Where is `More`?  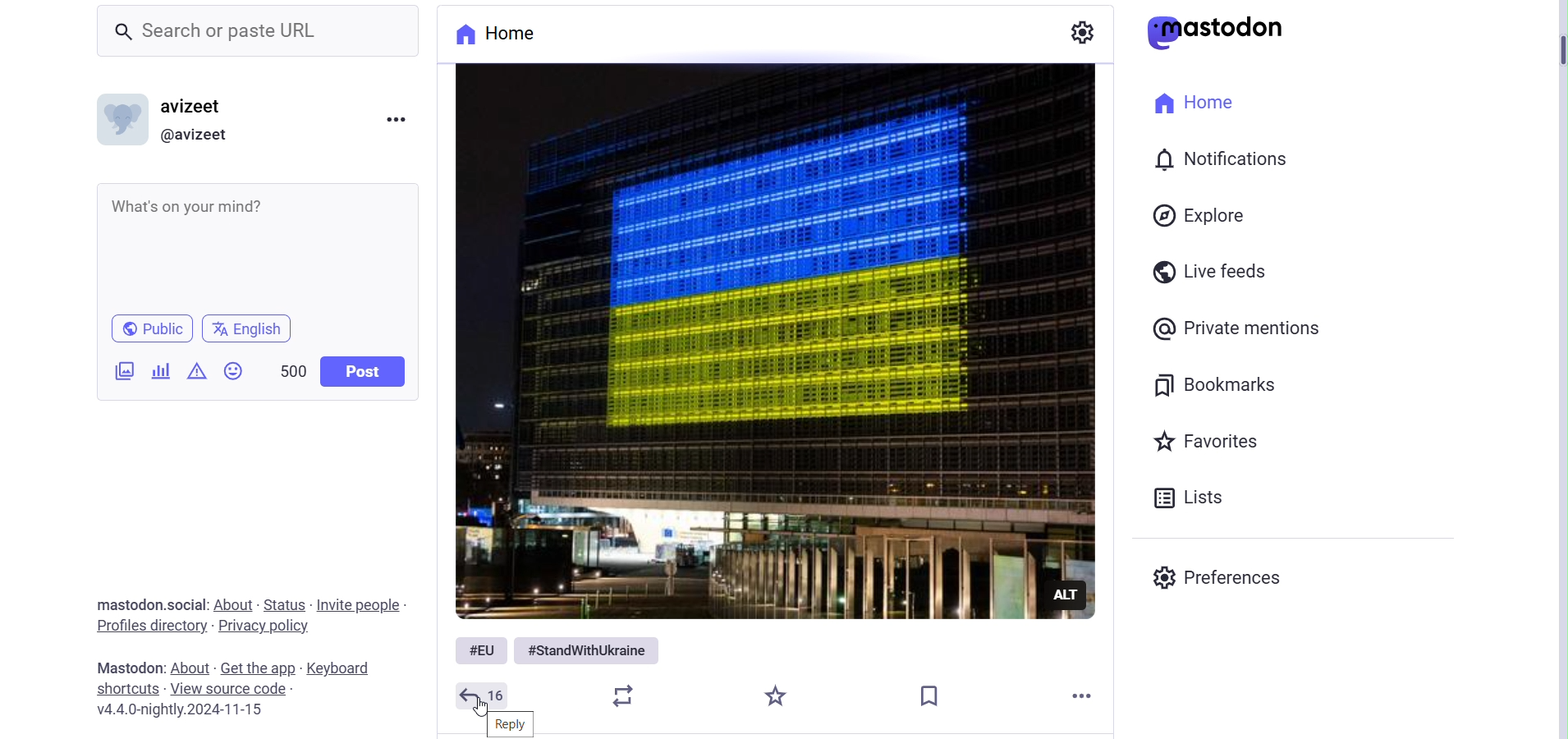 More is located at coordinates (1086, 695).